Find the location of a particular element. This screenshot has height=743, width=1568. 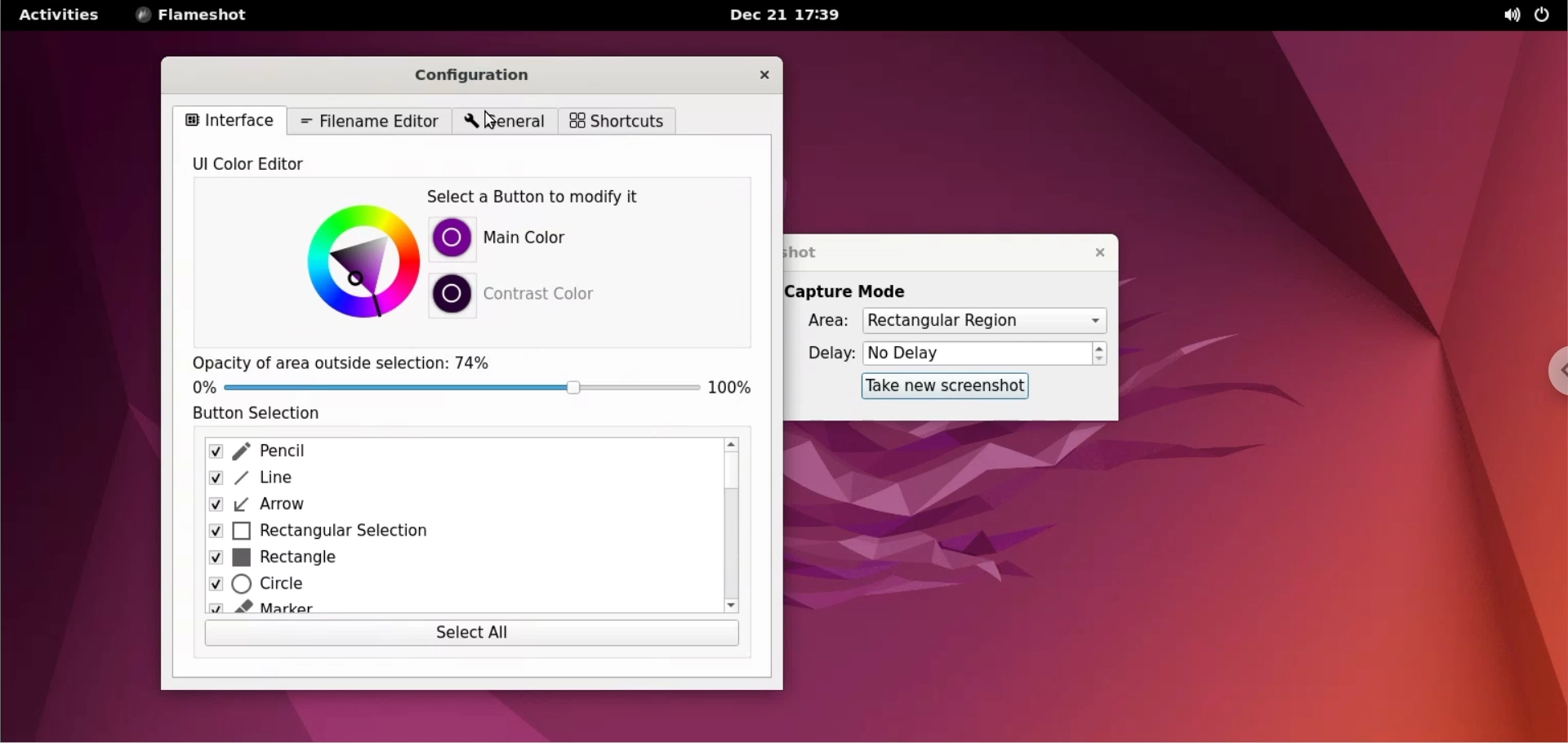

UI color editor  is located at coordinates (259, 168).